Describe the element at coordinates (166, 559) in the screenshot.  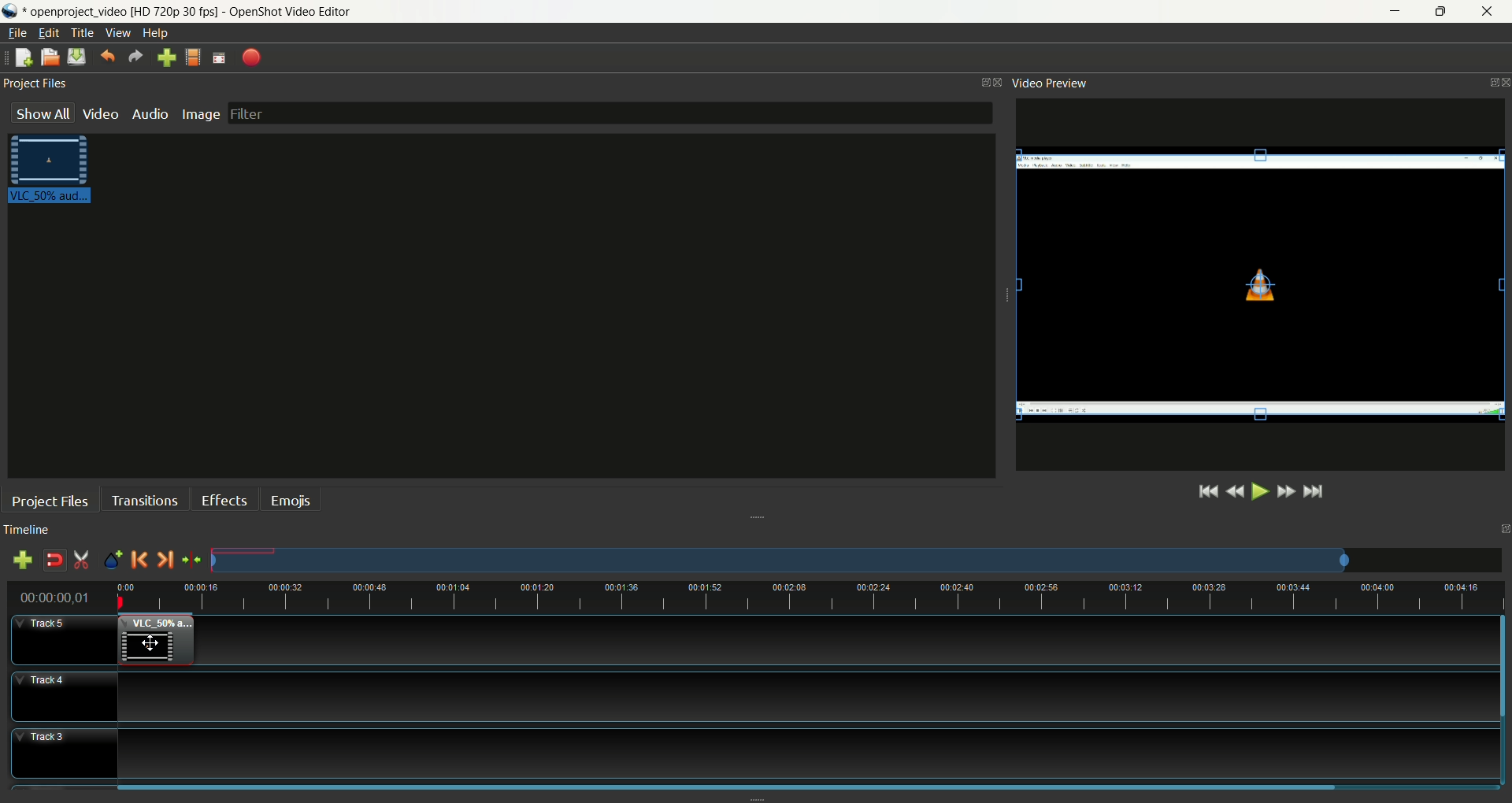
I see `next marker` at that location.